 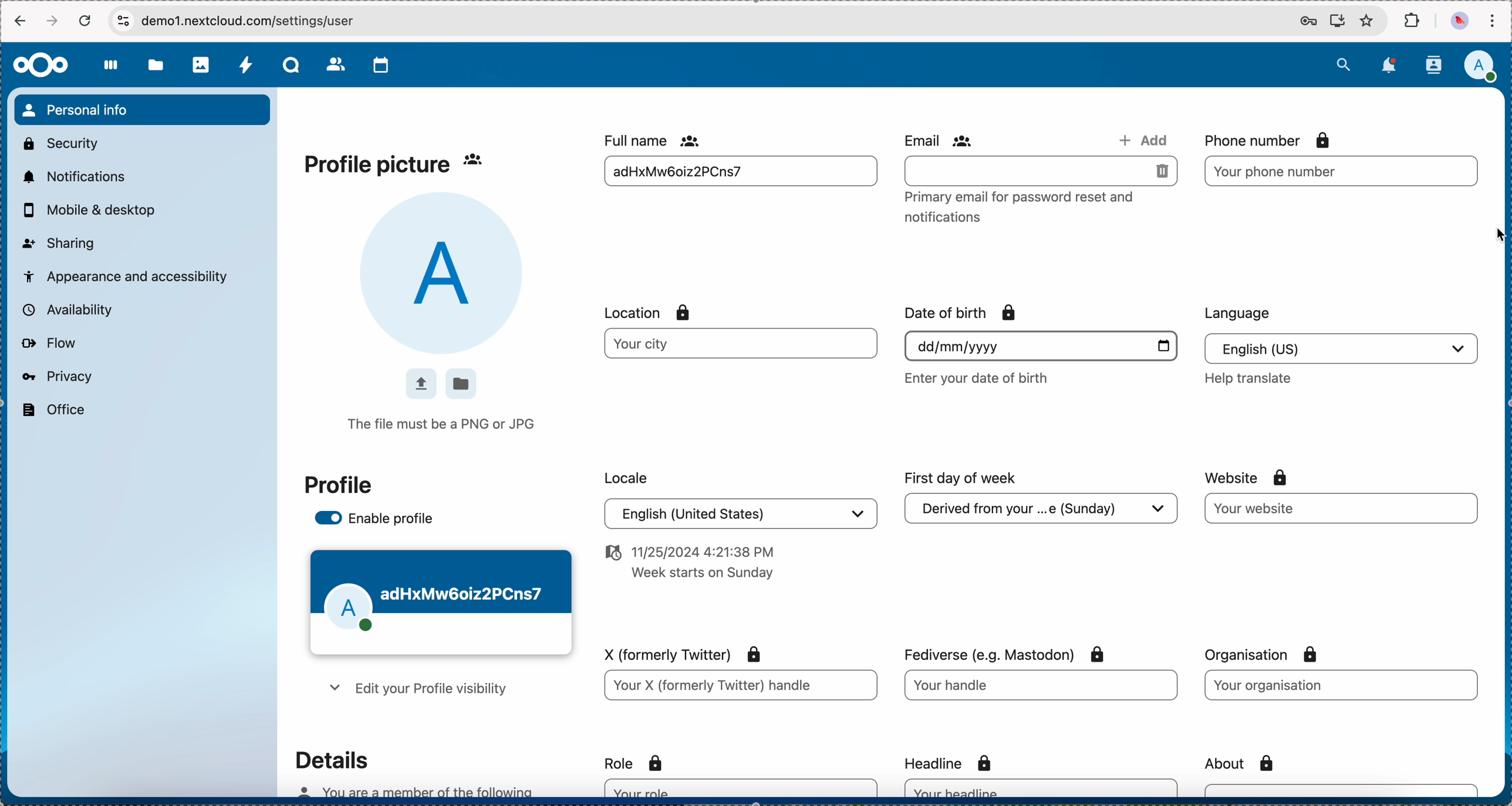 I want to click on type here, so click(x=1042, y=687).